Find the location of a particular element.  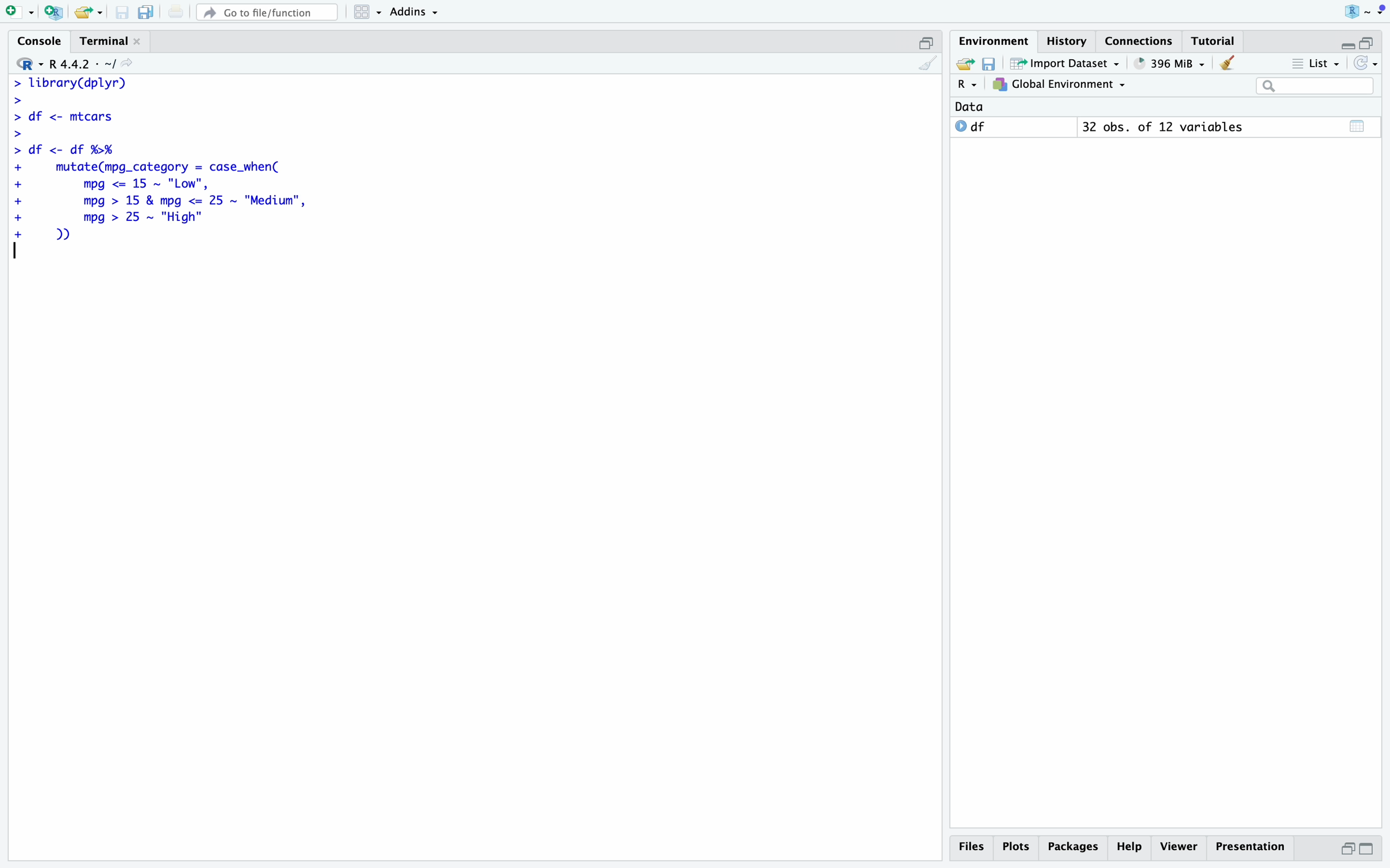

close is located at coordinates (137, 41).